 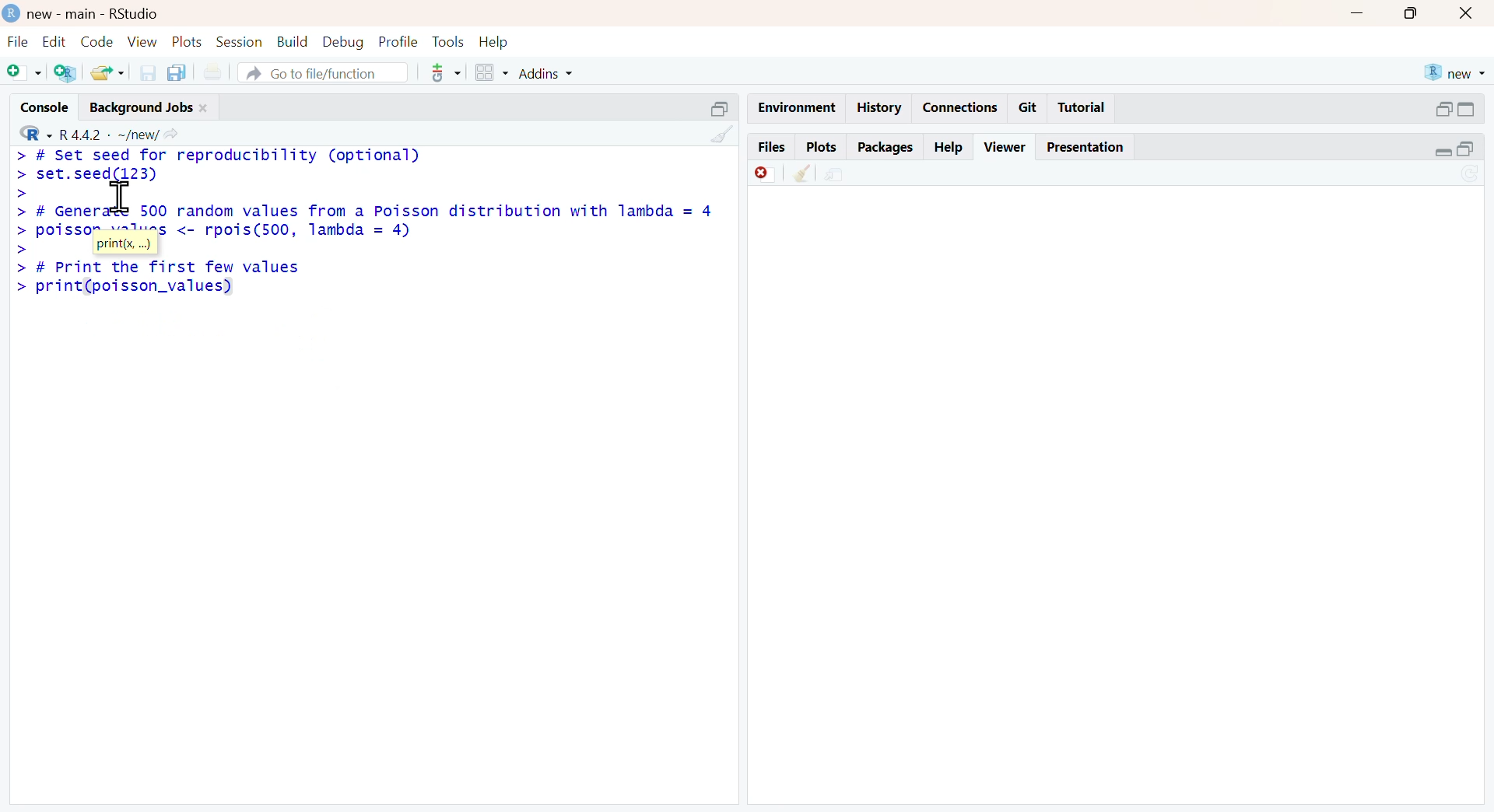 I want to click on help, so click(x=948, y=148).